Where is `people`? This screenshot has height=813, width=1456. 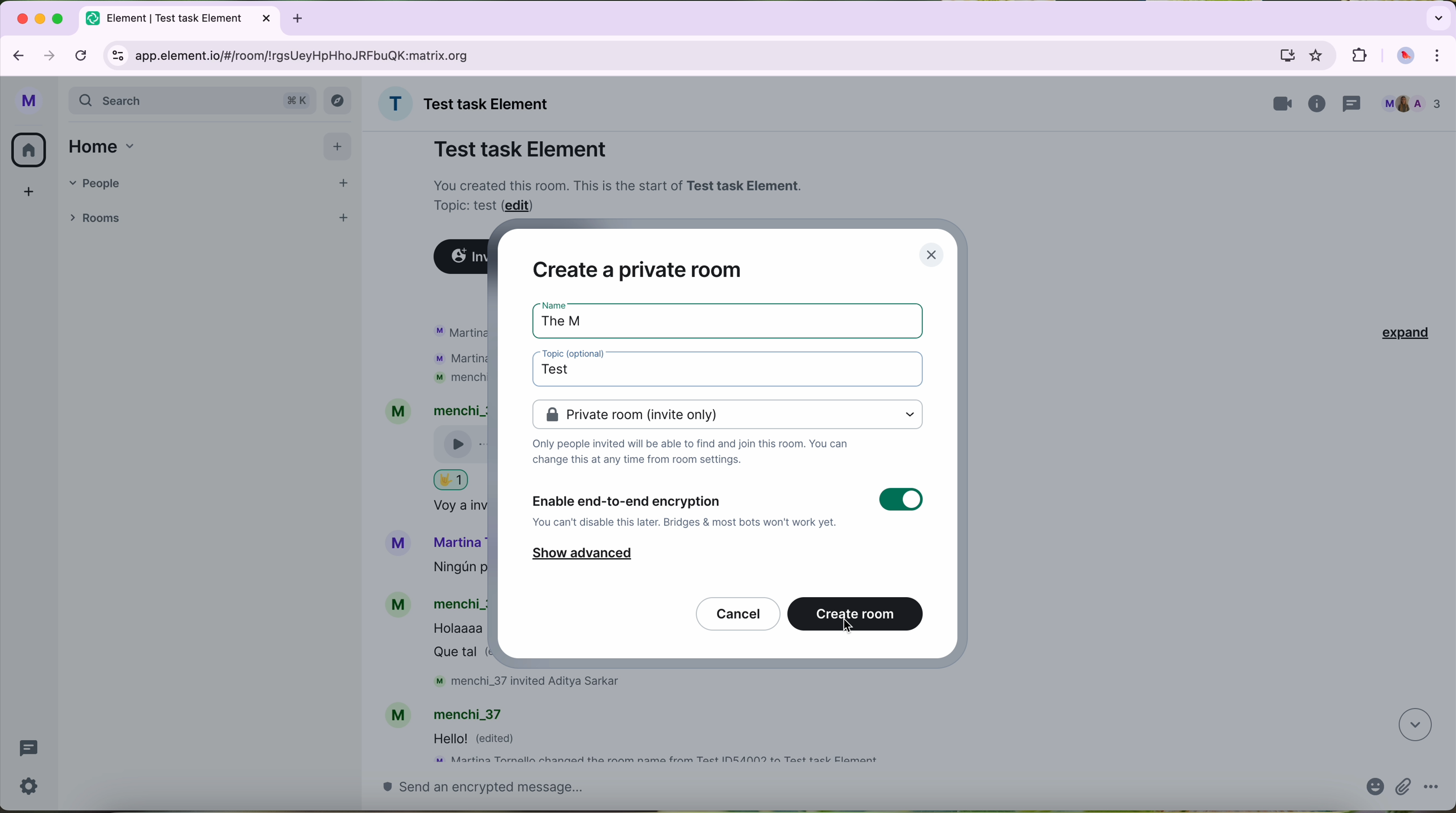
people is located at coordinates (1411, 103).